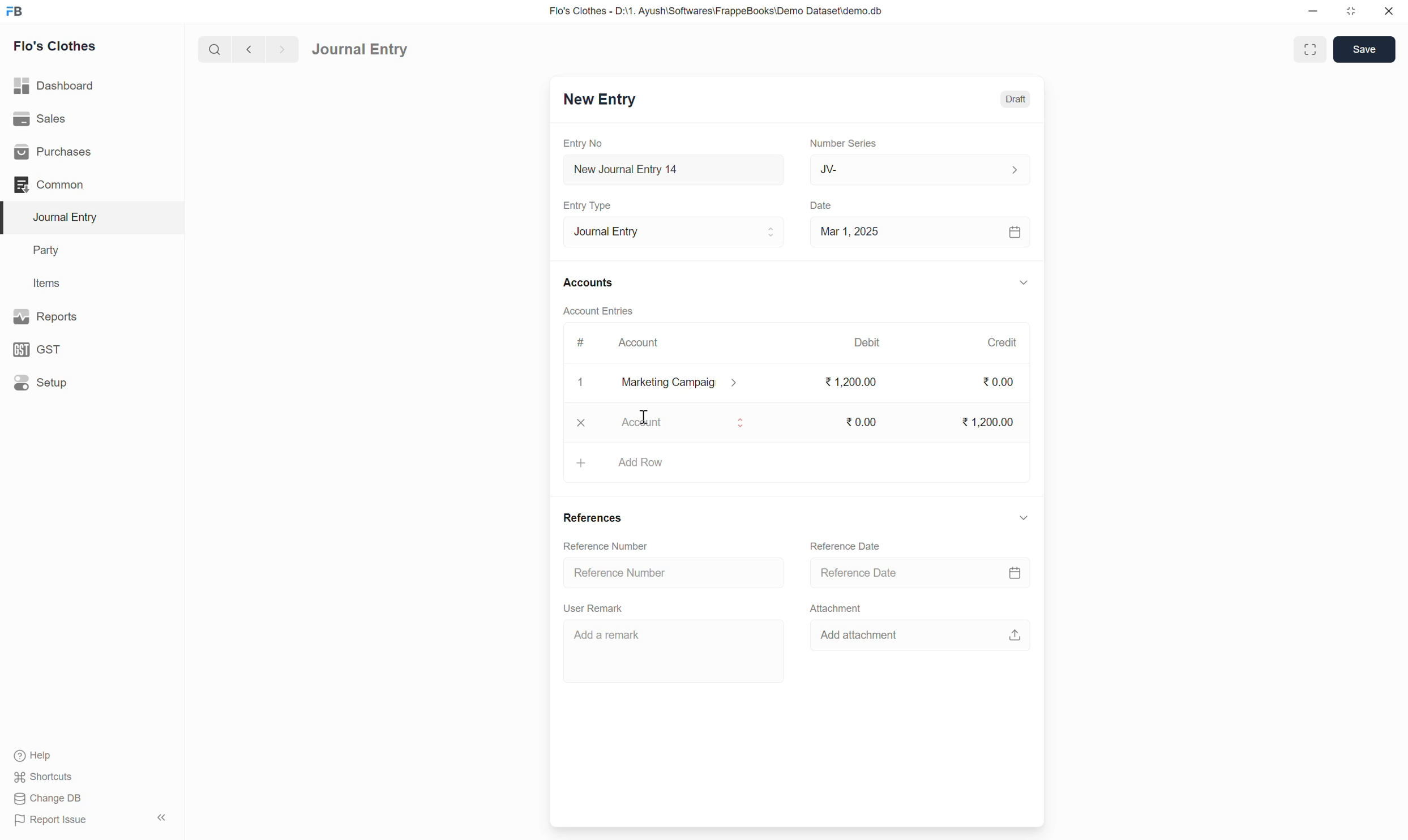  Describe the element at coordinates (1016, 635) in the screenshot. I see `upload` at that location.